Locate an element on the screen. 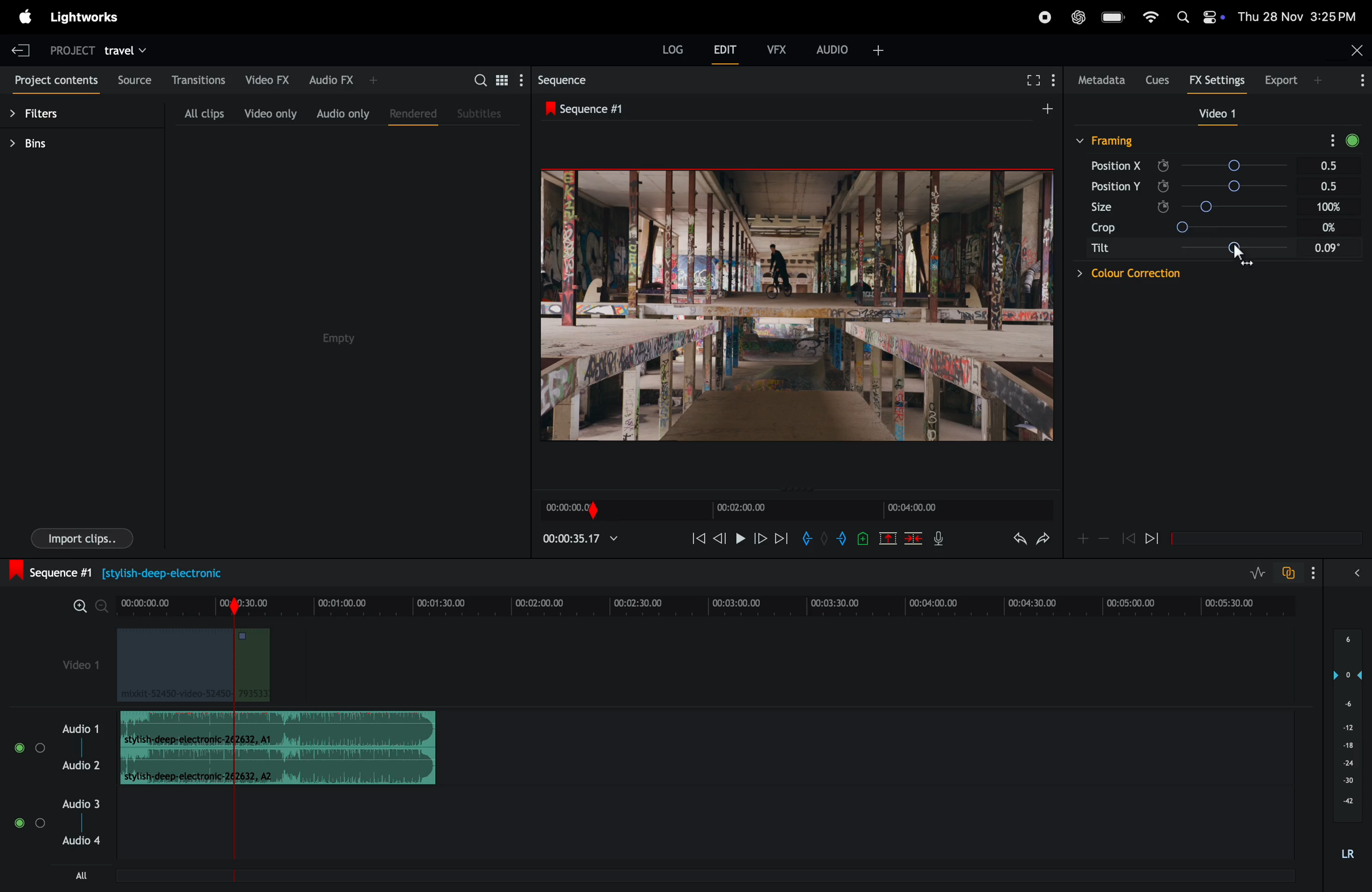 The image size is (1372, 892). all is located at coordinates (70, 876).